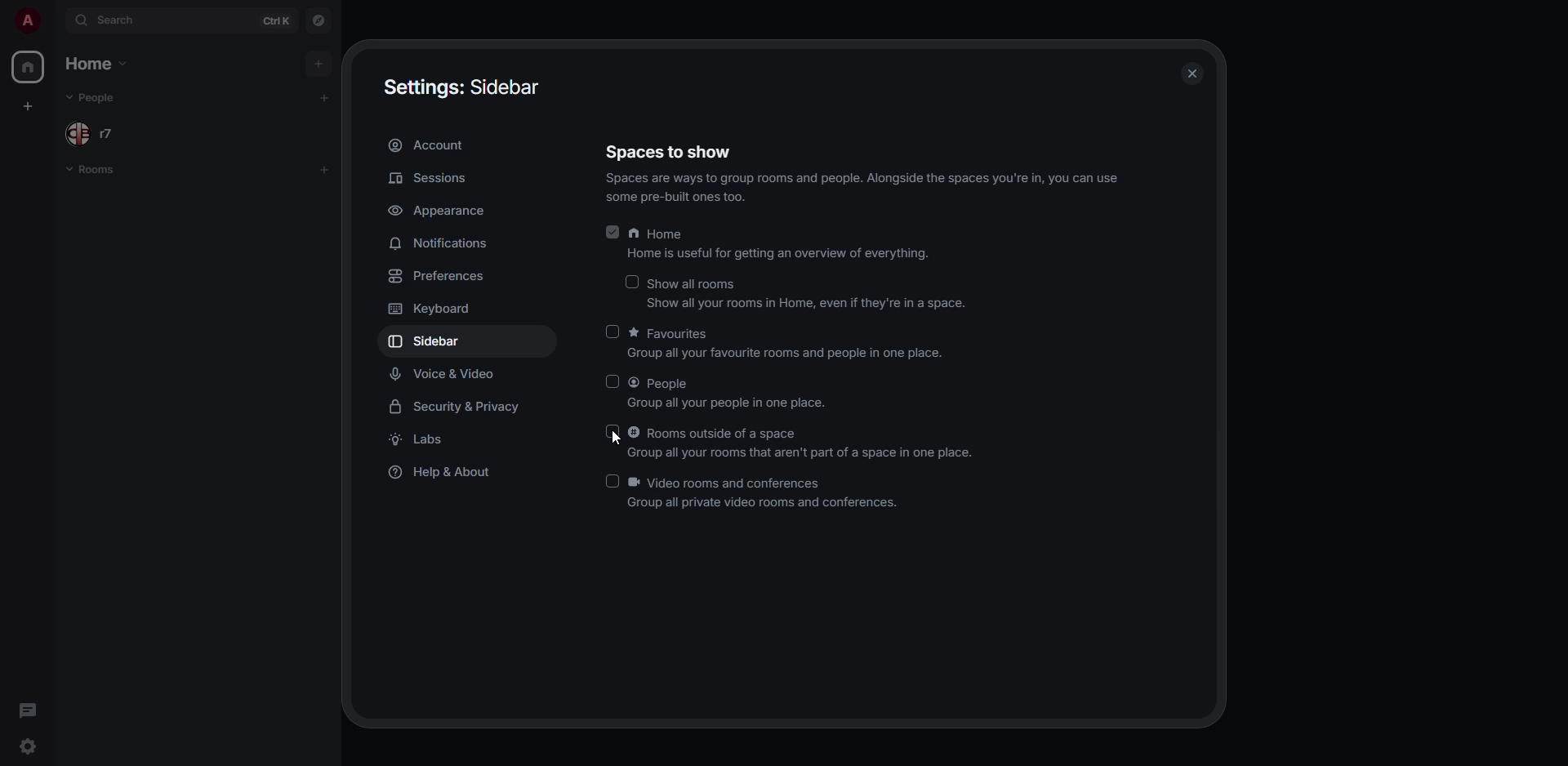  What do you see at coordinates (278, 20) in the screenshot?
I see `ctrl K` at bounding box center [278, 20].